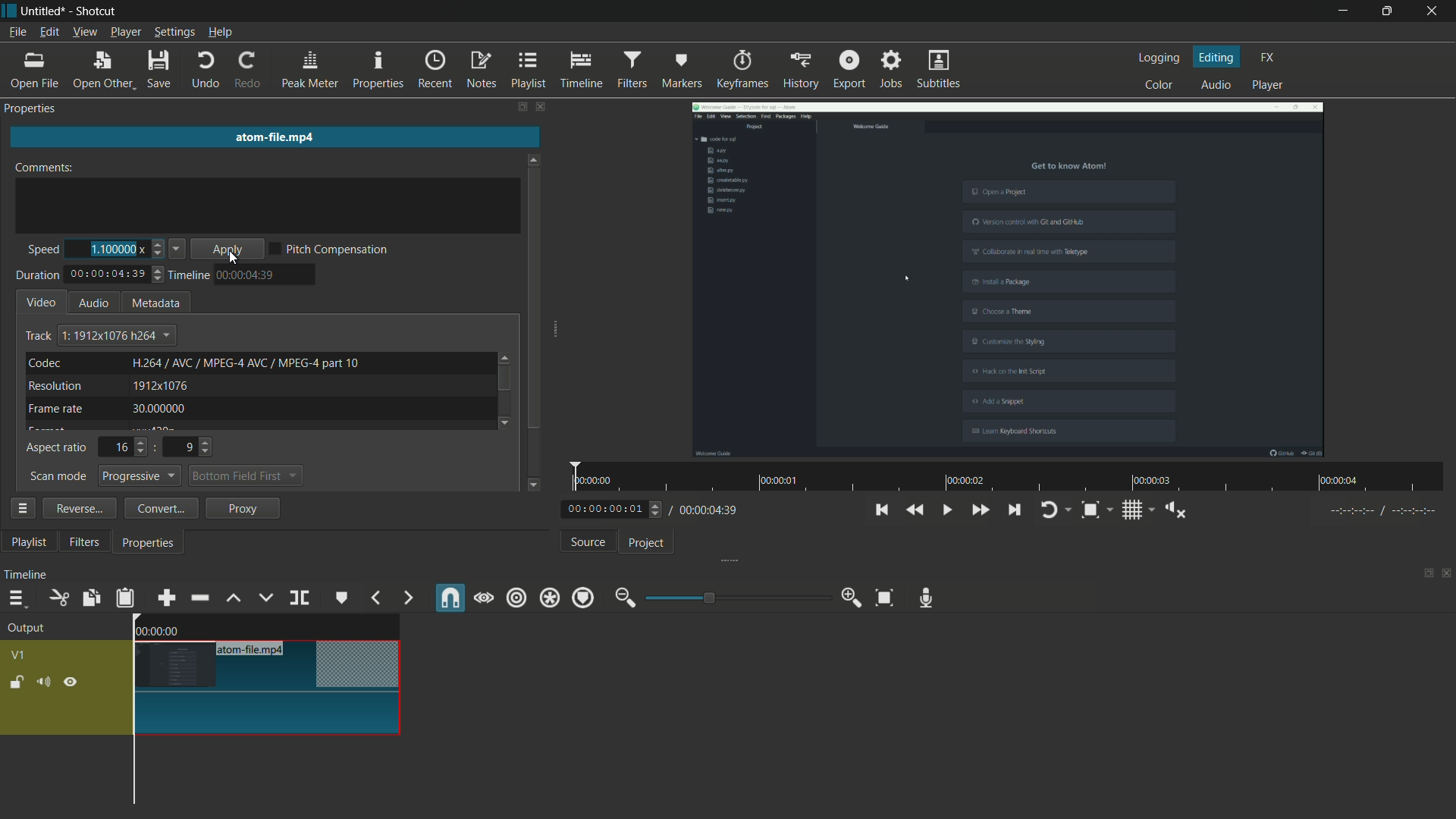  What do you see at coordinates (107, 275) in the screenshot?
I see `total time` at bounding box center [107, 275].